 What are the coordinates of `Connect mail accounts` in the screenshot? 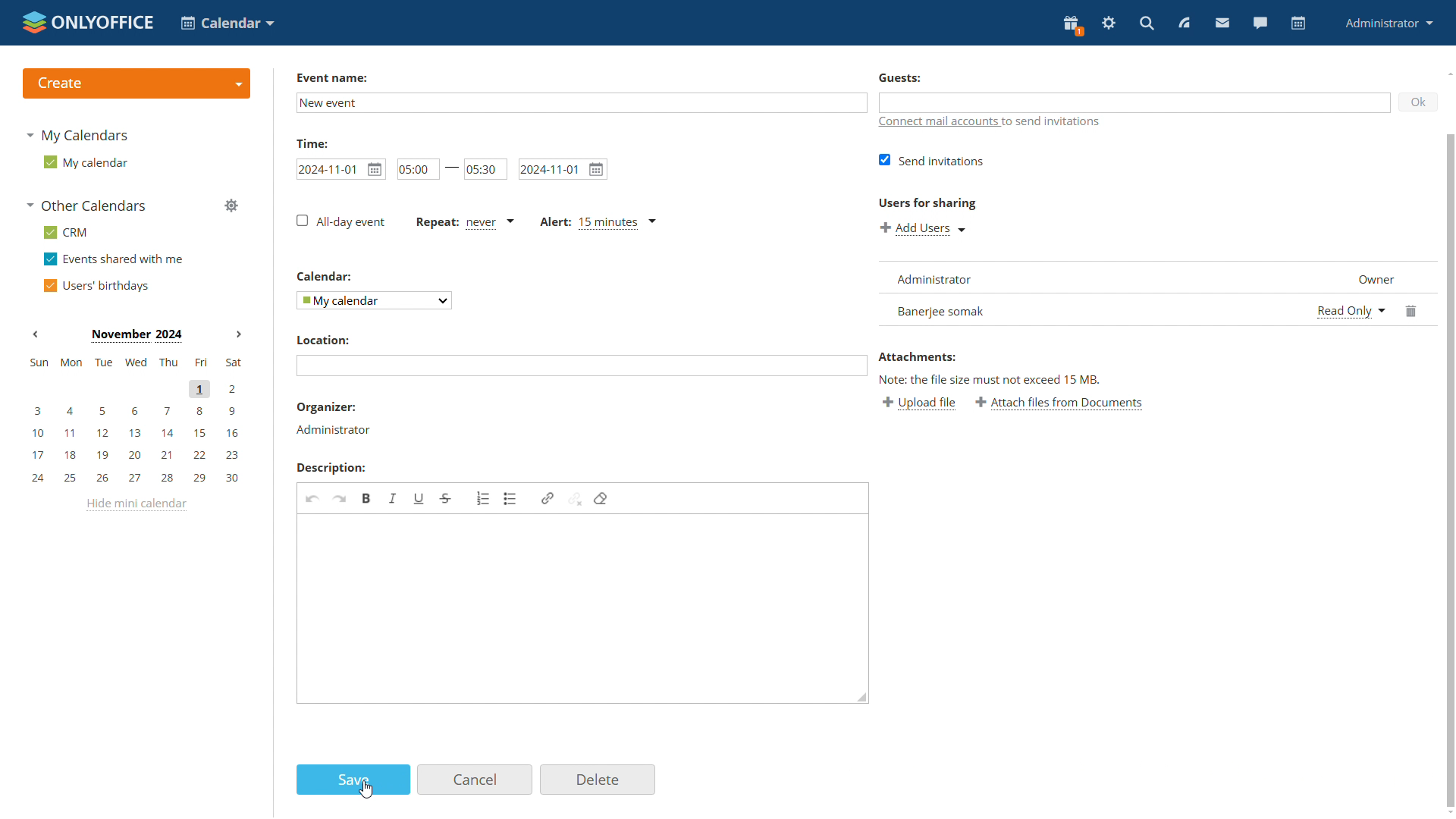 It's located at (939, 122).